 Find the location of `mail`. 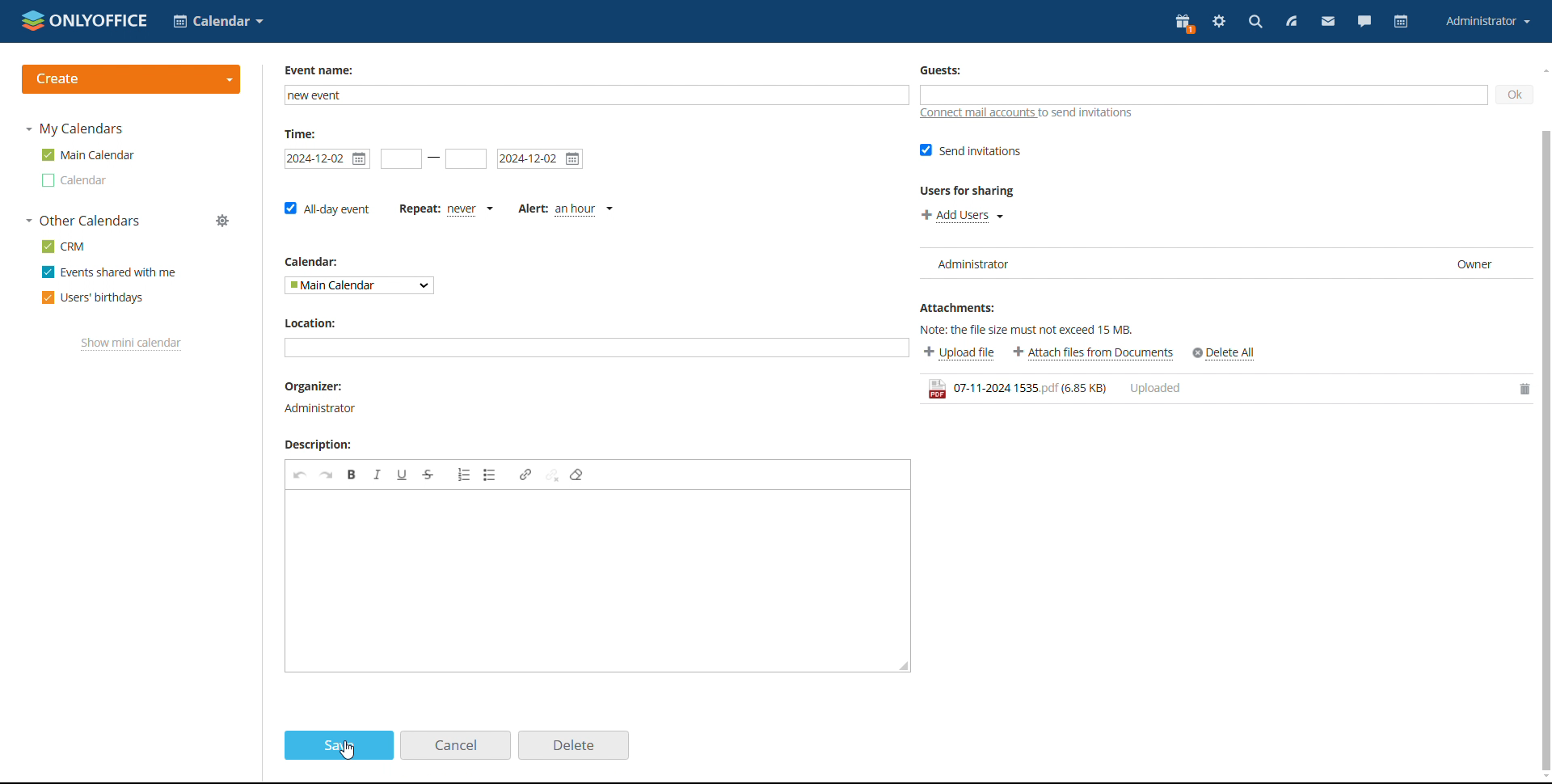

mail is located at coordinates (1328, 22).